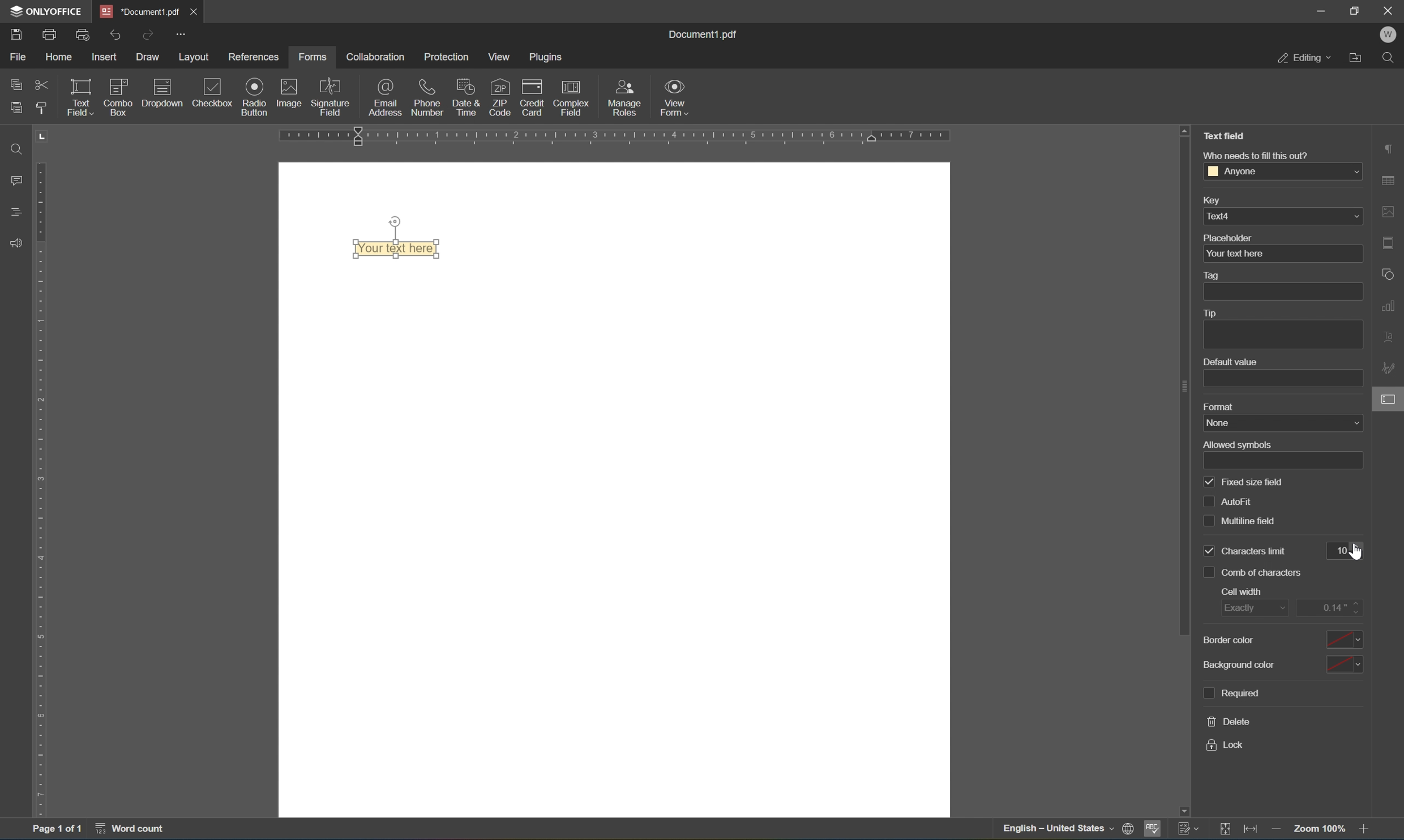 This screenshot has width=1404, height=840. Describe the element at coordinates (1208, 521) in the screenshot. I see `checkbox` at that location.